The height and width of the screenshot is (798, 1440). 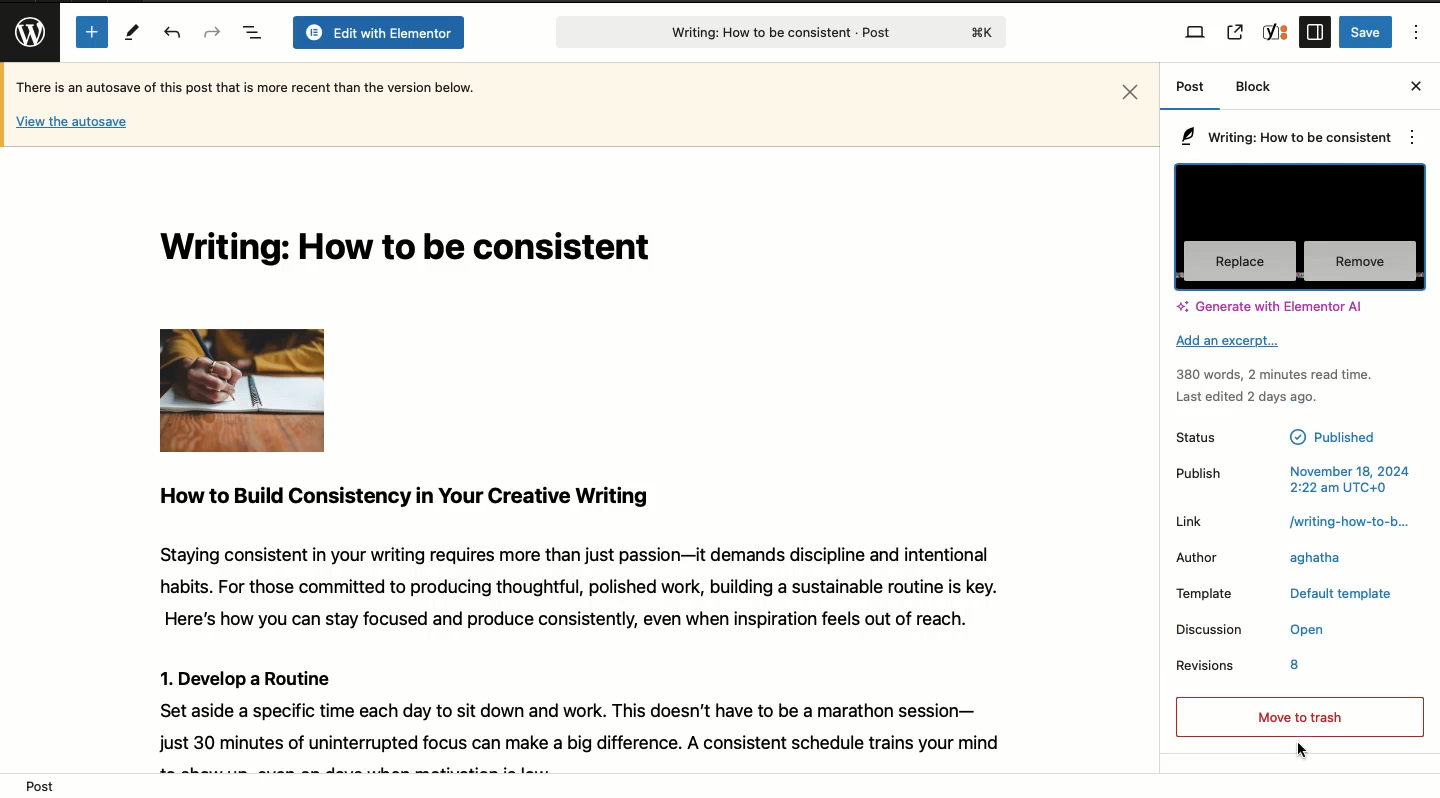 I want to click on Link, so click(x=1191, y=523).